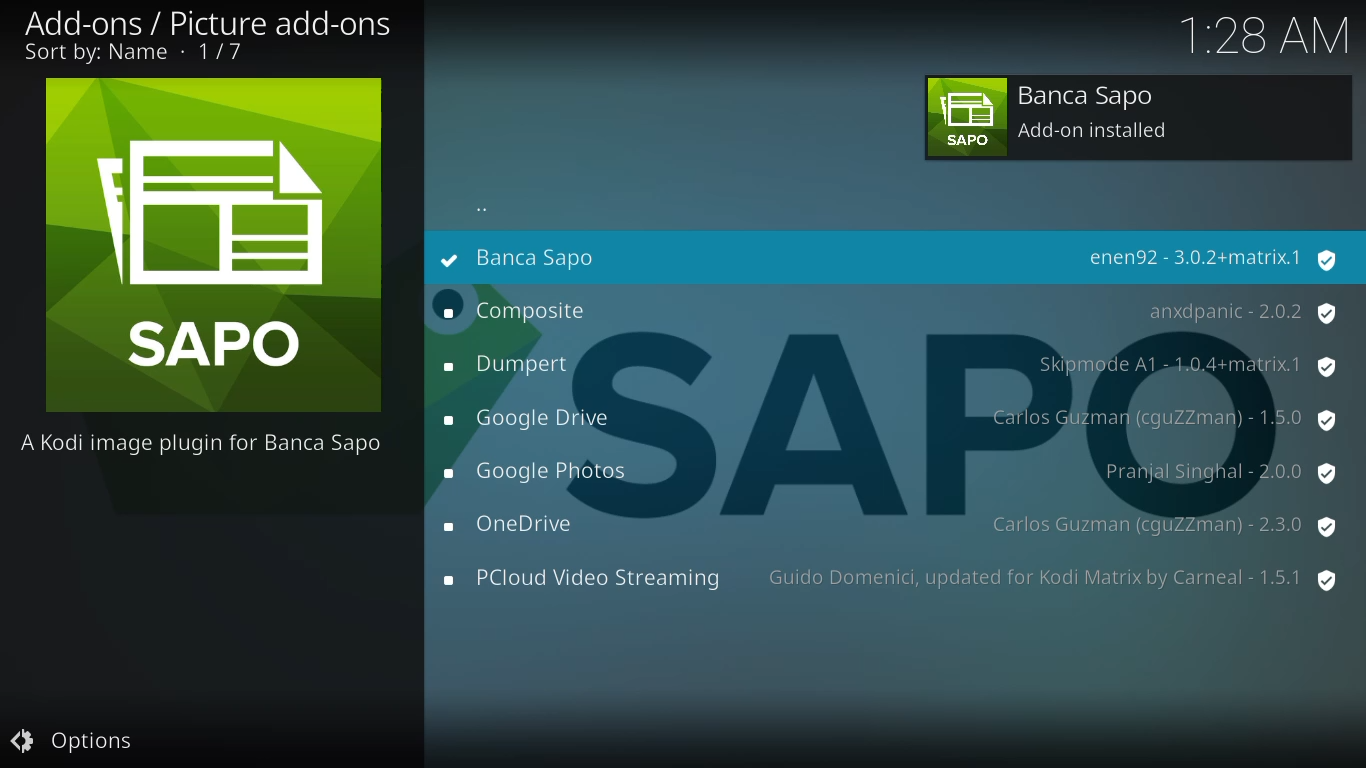  Describe the element at coordinates (580, 579) in the screenshot. I see `pcloud` at that location.